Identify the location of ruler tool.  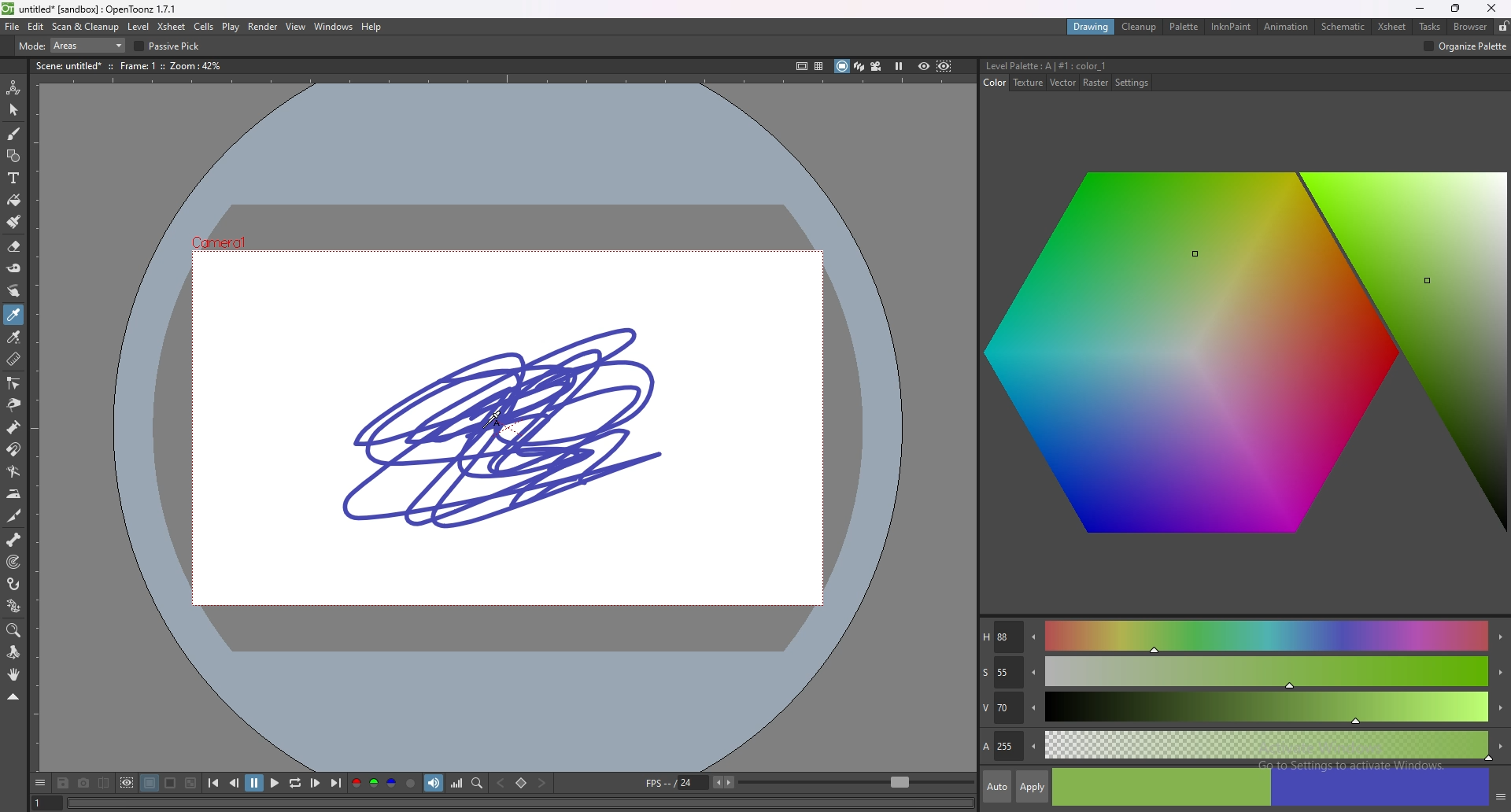
(14, 360).